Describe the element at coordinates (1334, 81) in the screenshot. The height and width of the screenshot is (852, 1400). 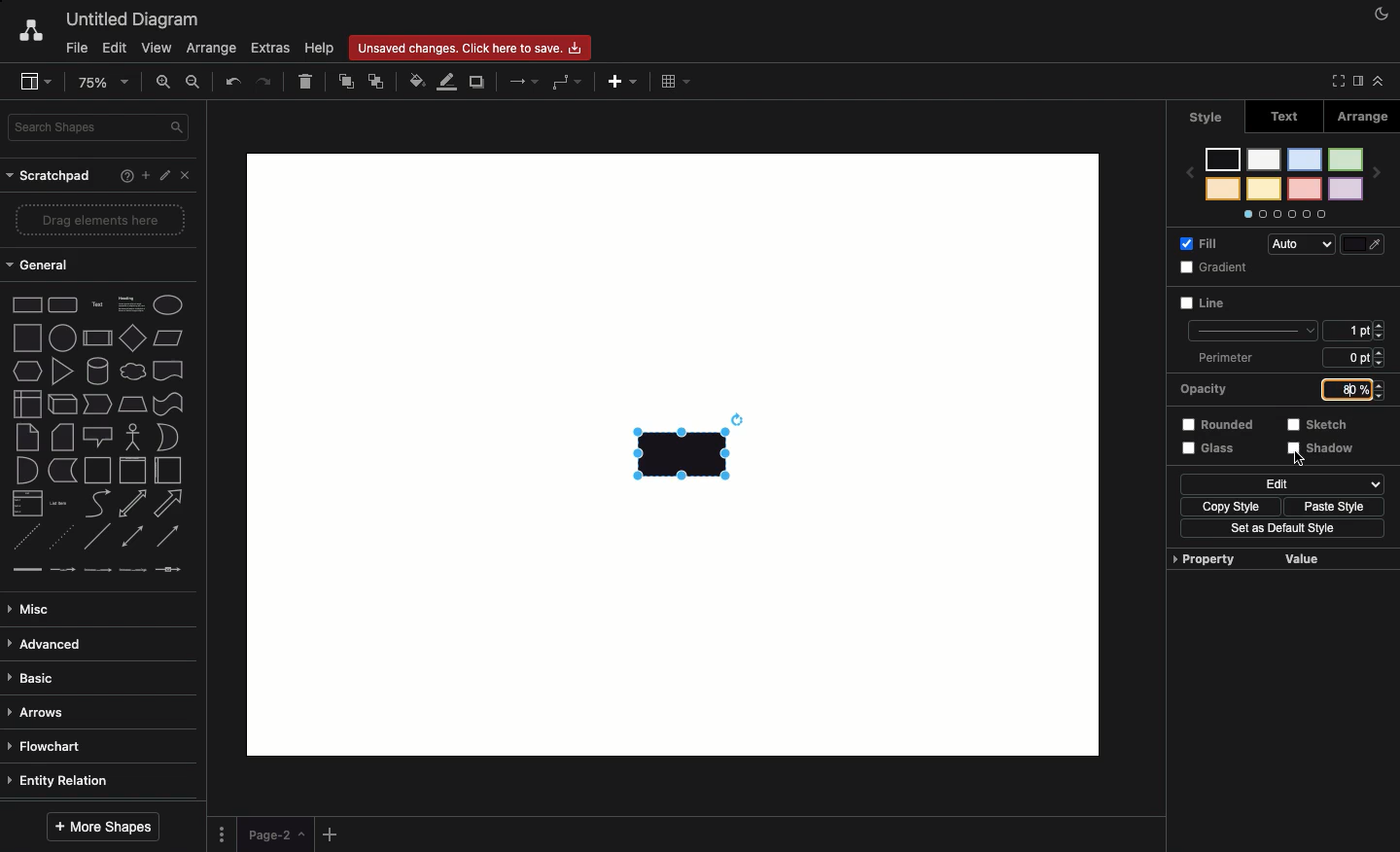
I see `Full screen` at that location.